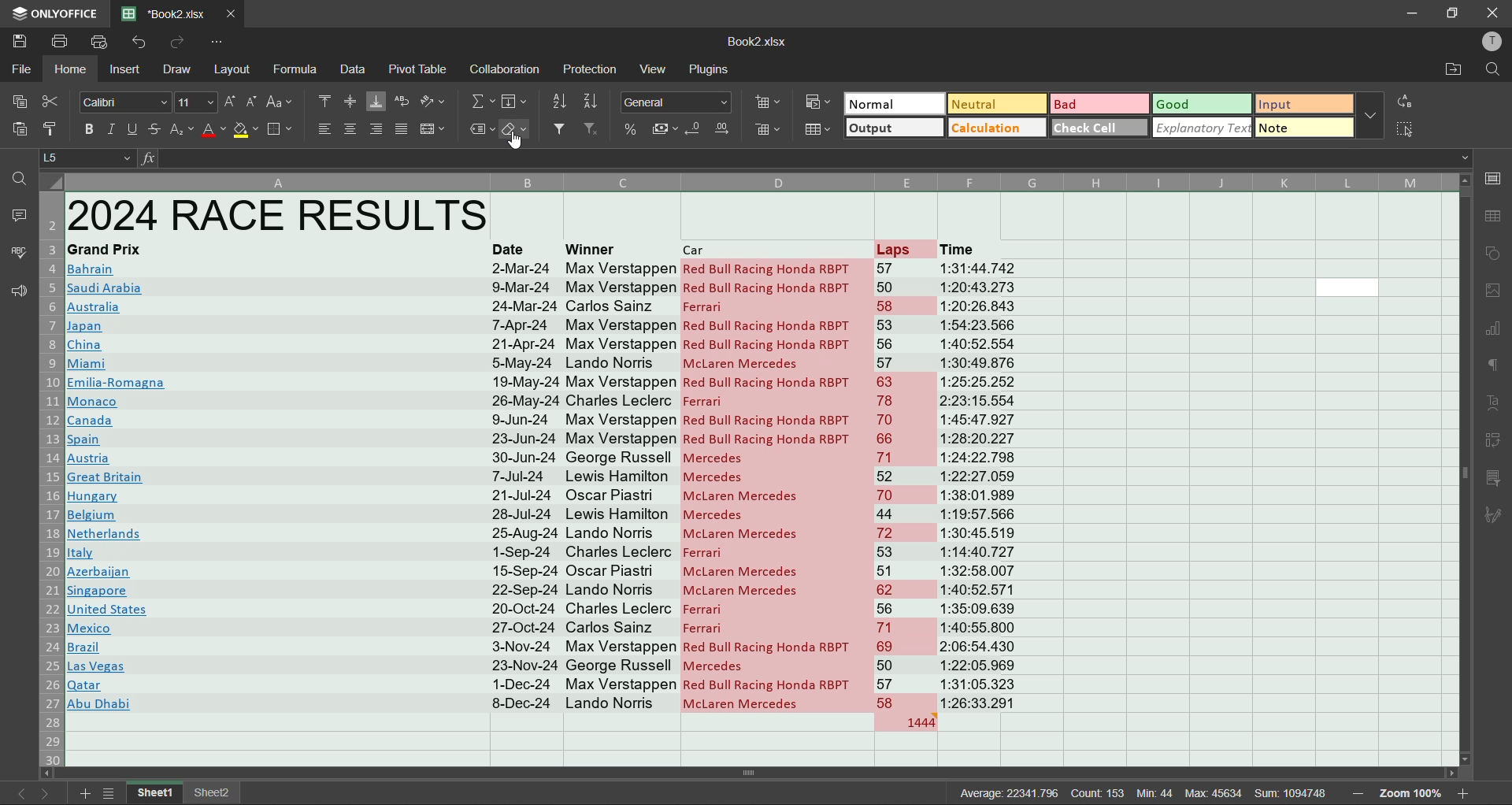 This screenshot has height=805, width=1512. I want to click on cursor, so click(518, 143).